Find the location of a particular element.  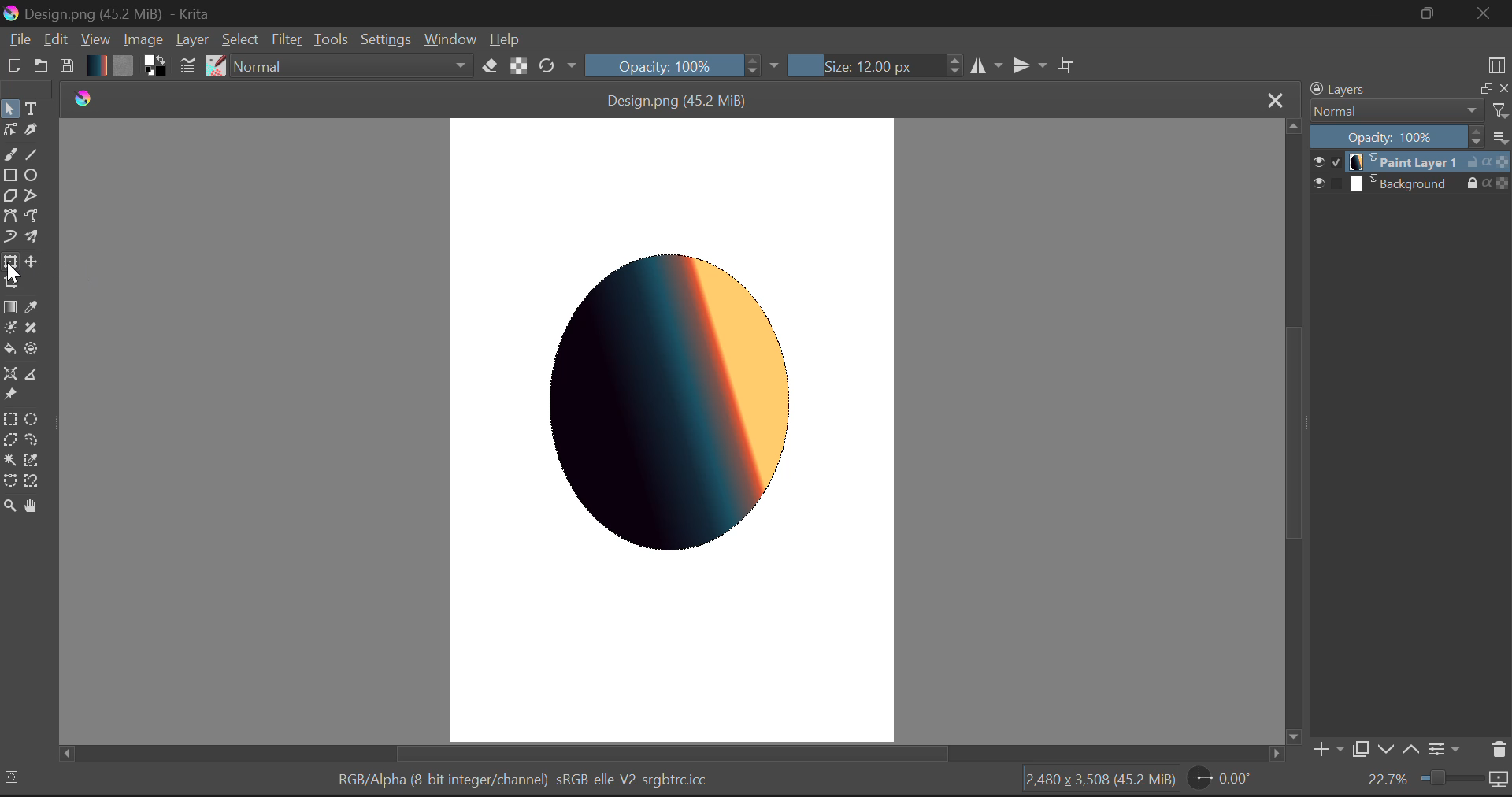

Freehand Path Tool is located at coordinates (32, 217).